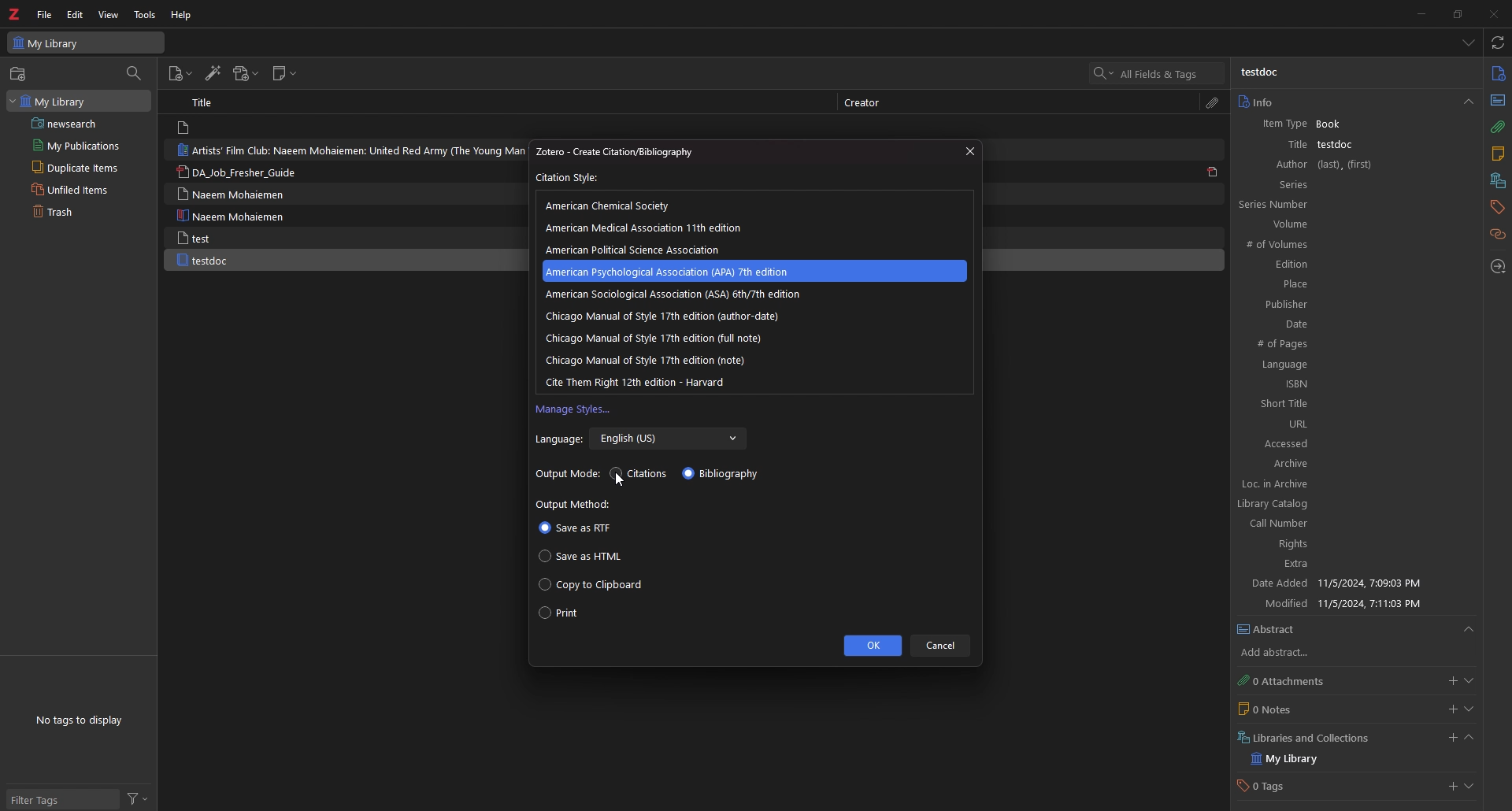  What do you see at coordinates (1349, 324) in the screenshot?
I see `Date` at bounding box center [1349, 324].